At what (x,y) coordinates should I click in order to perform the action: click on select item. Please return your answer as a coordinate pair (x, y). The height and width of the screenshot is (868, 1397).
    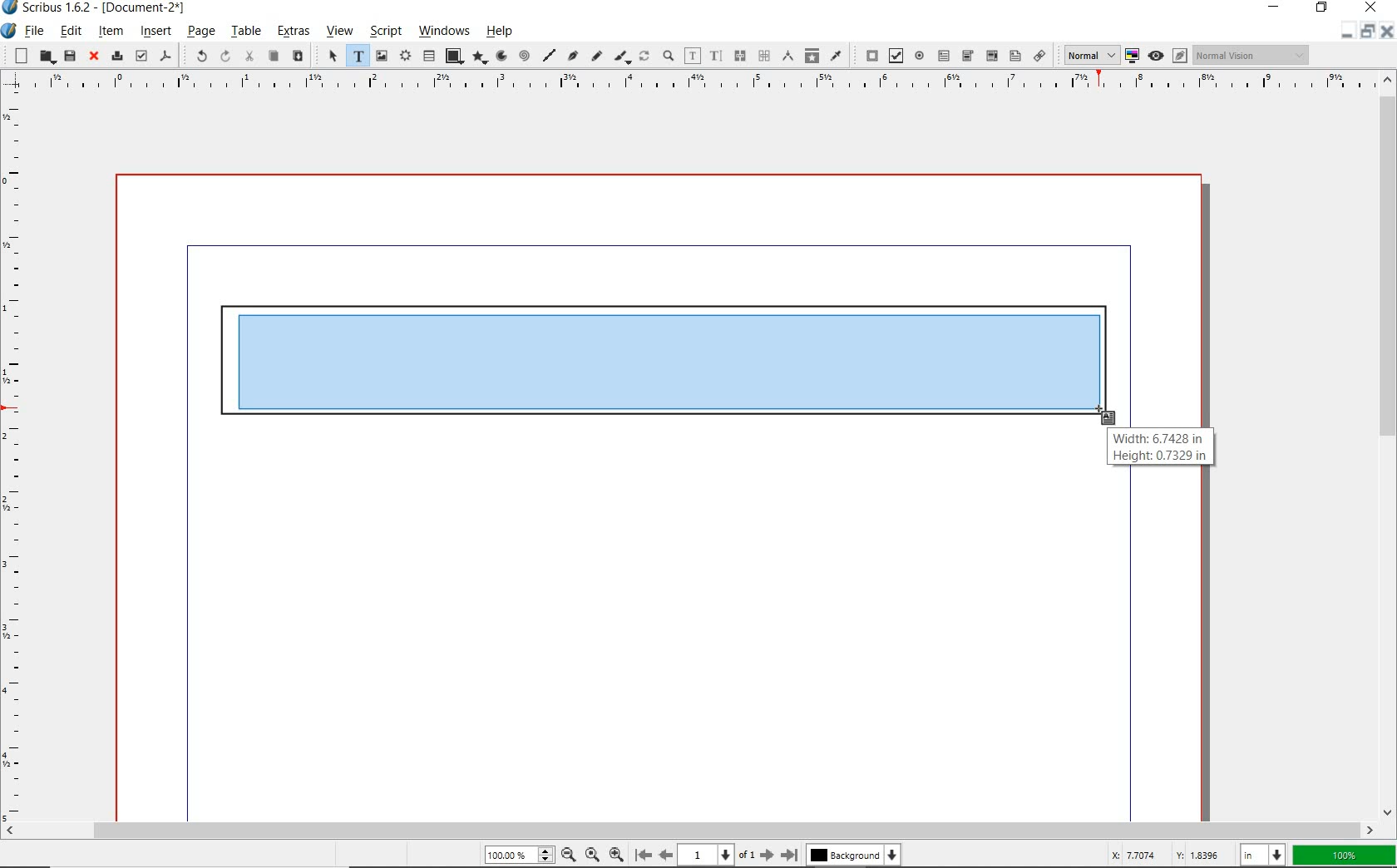
    Looking at the image, I should click on (332, 55).